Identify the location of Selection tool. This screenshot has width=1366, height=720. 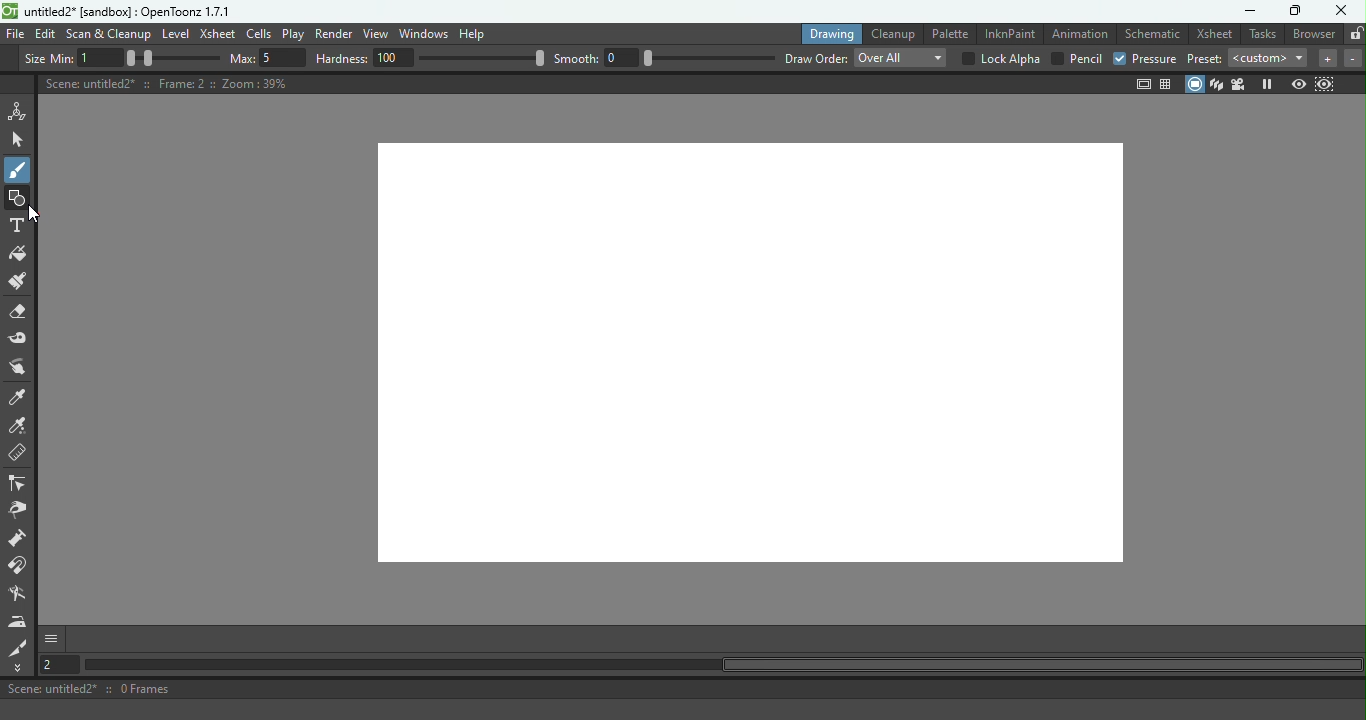
(20, 141).